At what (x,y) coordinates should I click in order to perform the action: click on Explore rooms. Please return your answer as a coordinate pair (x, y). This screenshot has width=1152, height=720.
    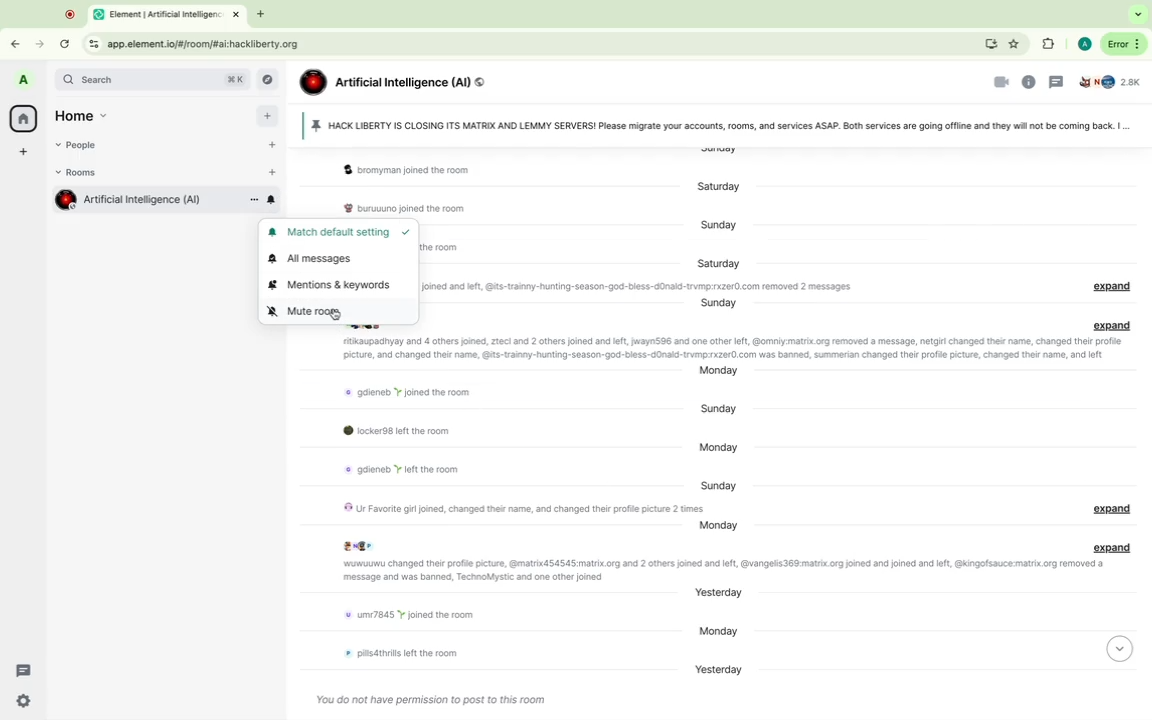
    Looking at the image, I should click on (270, 79).